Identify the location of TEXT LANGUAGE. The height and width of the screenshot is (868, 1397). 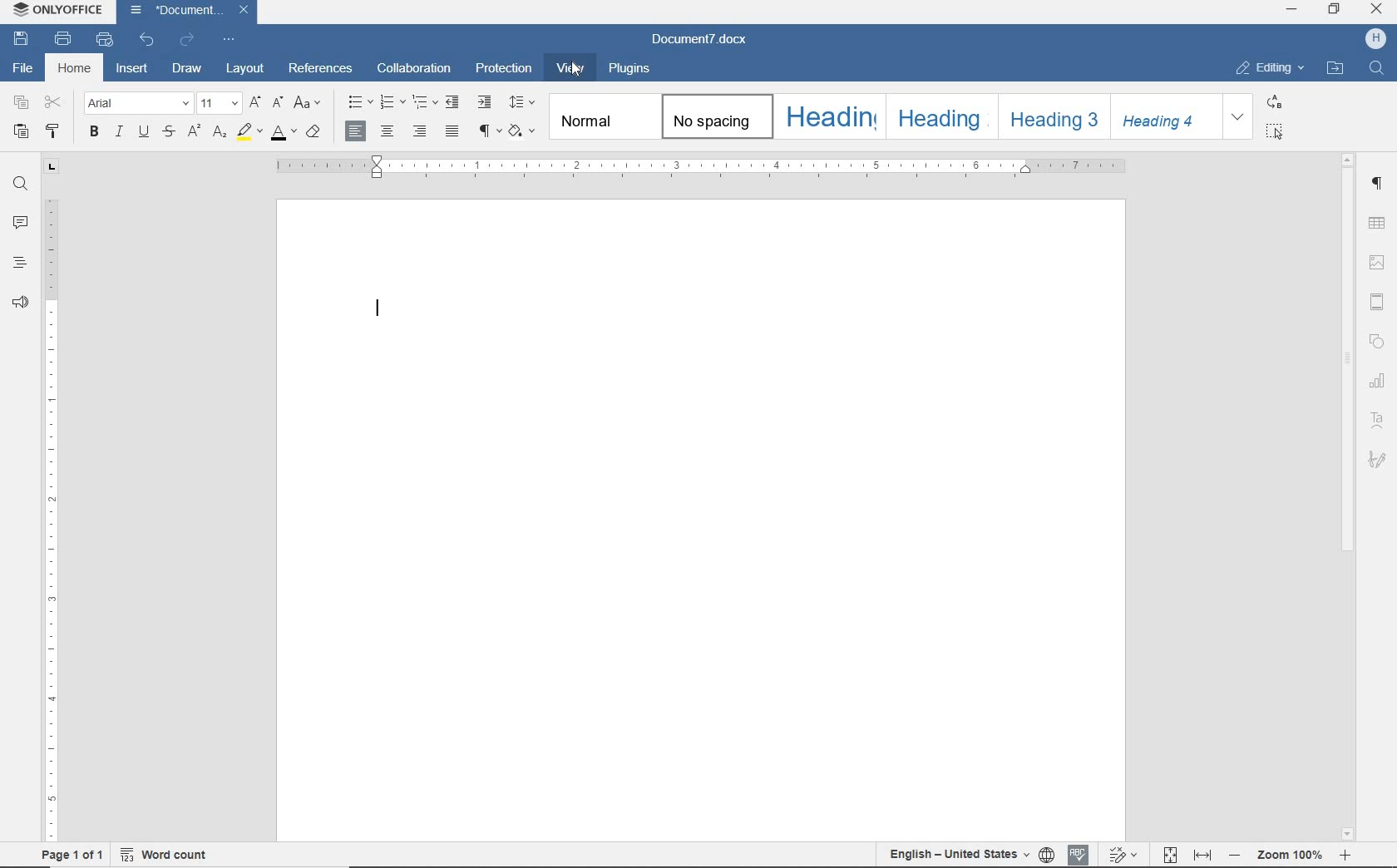
(957, 854).